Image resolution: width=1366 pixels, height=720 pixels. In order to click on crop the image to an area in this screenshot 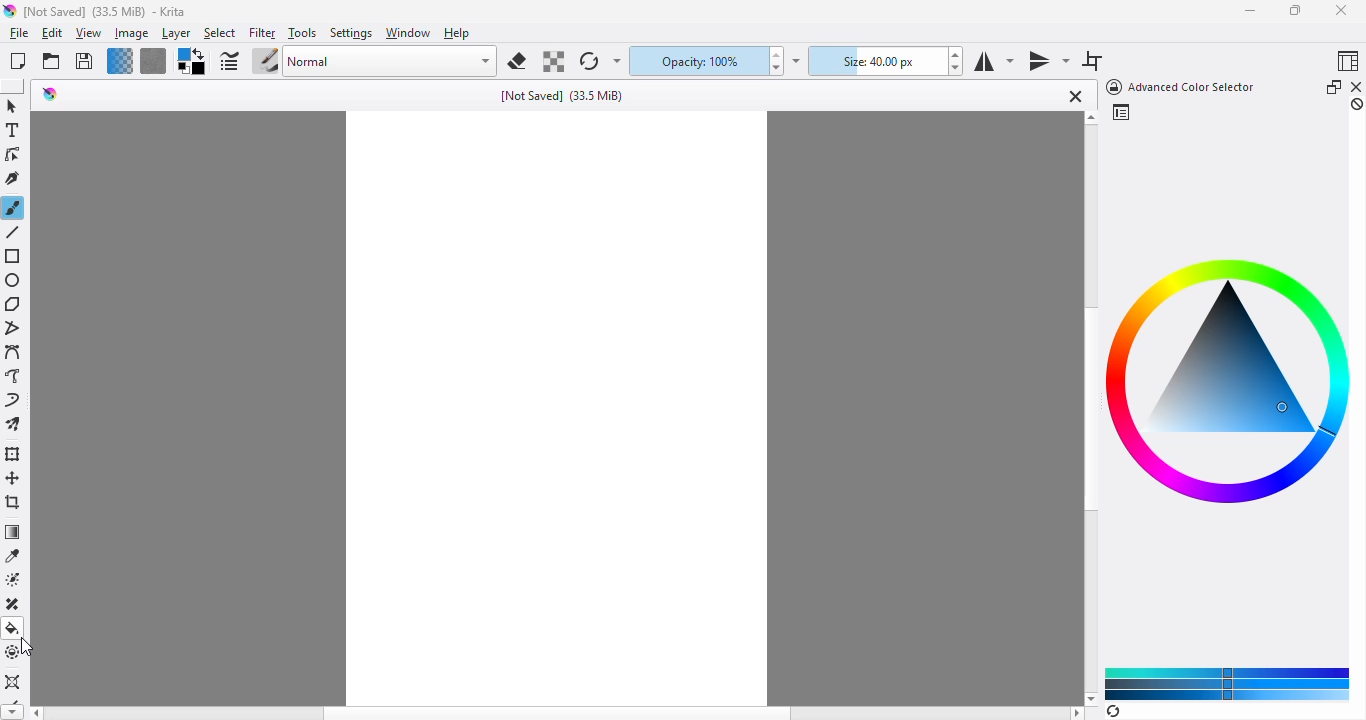, I will do `click(14, 501)`.